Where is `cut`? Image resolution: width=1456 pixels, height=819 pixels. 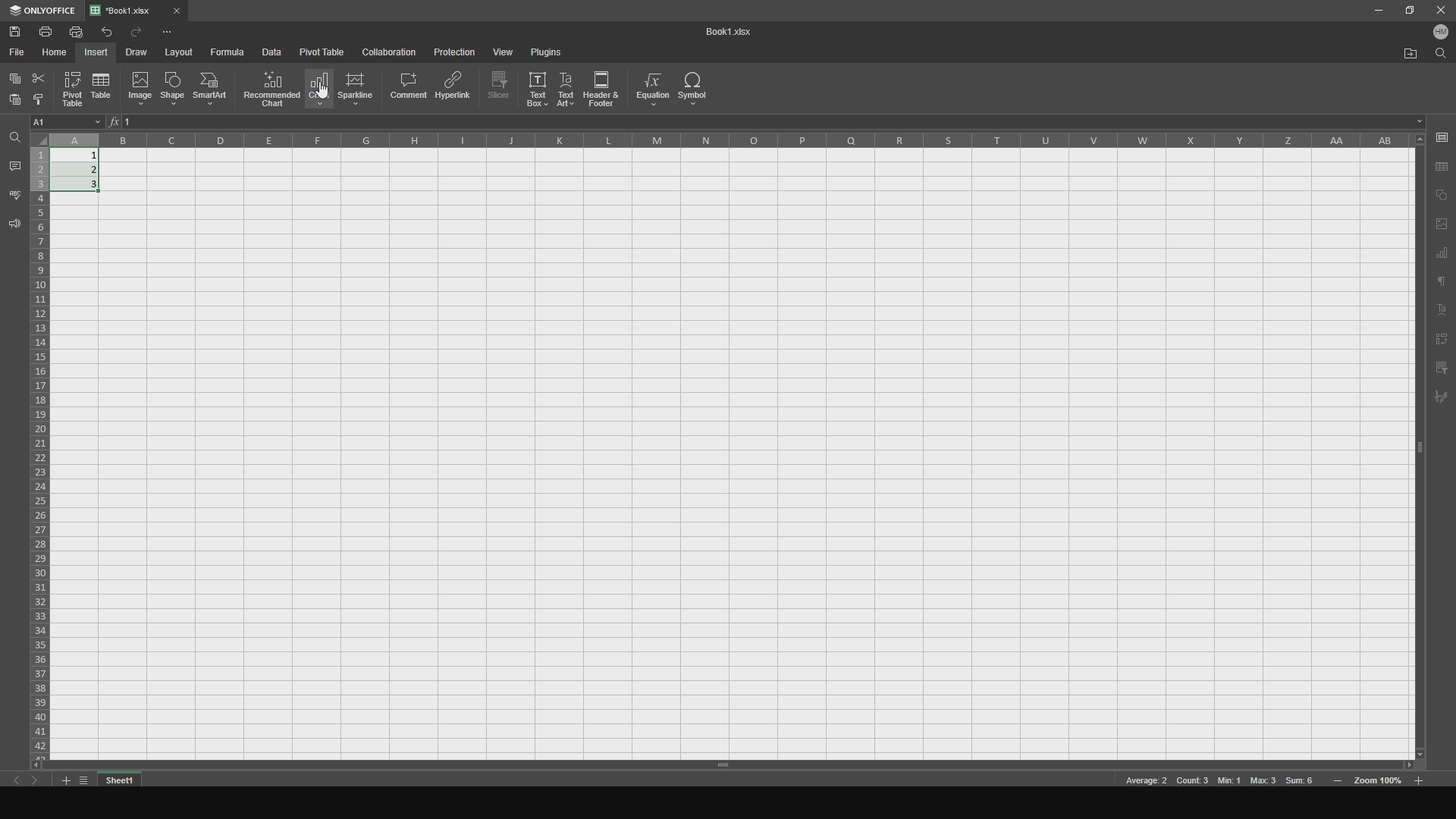 cut is located at coordinates (40, 76).